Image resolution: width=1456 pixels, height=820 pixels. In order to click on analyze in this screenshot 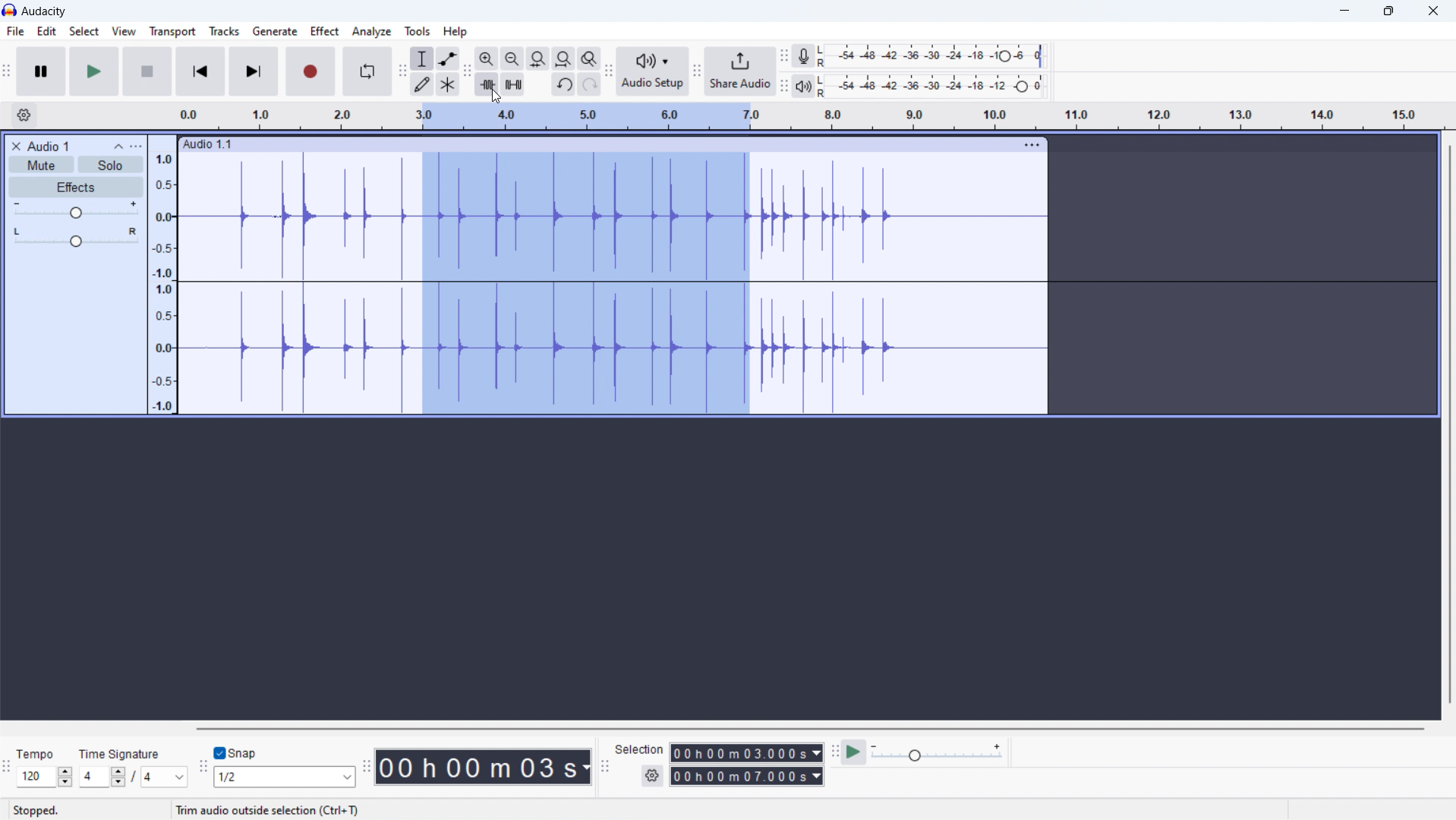, I will do `click(372, 31)`.